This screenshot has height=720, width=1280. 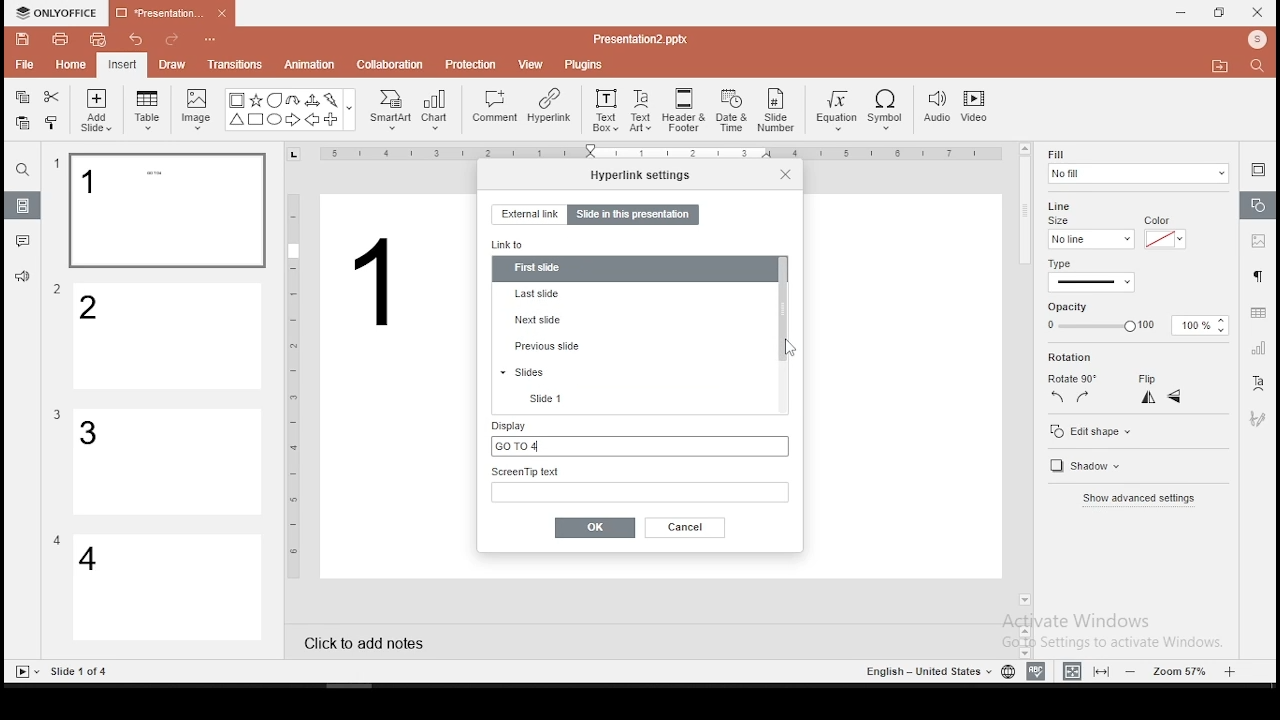 I want to click on next slide, so click(x=632, y=317).